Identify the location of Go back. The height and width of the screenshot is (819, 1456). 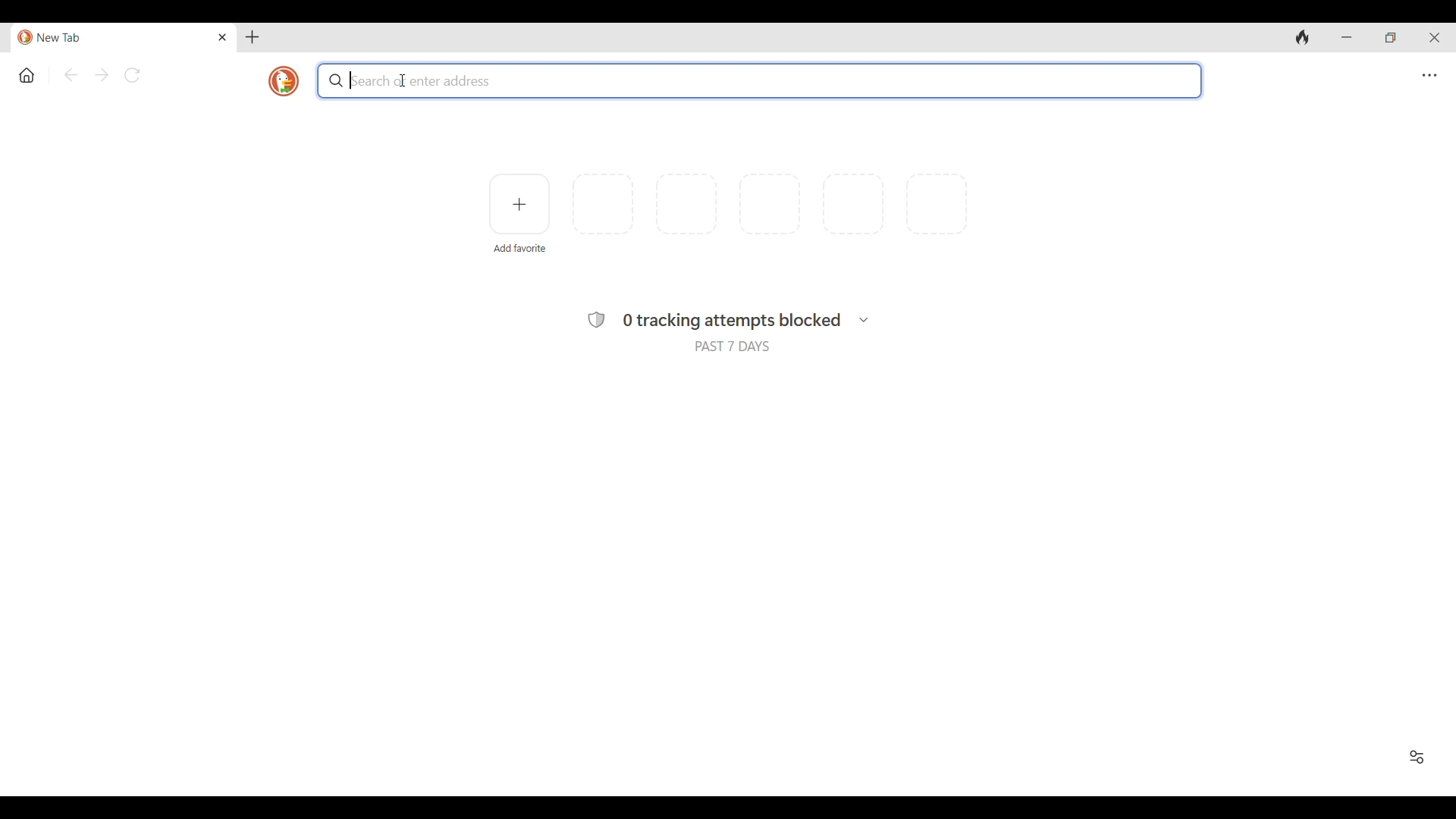
(71, 74).